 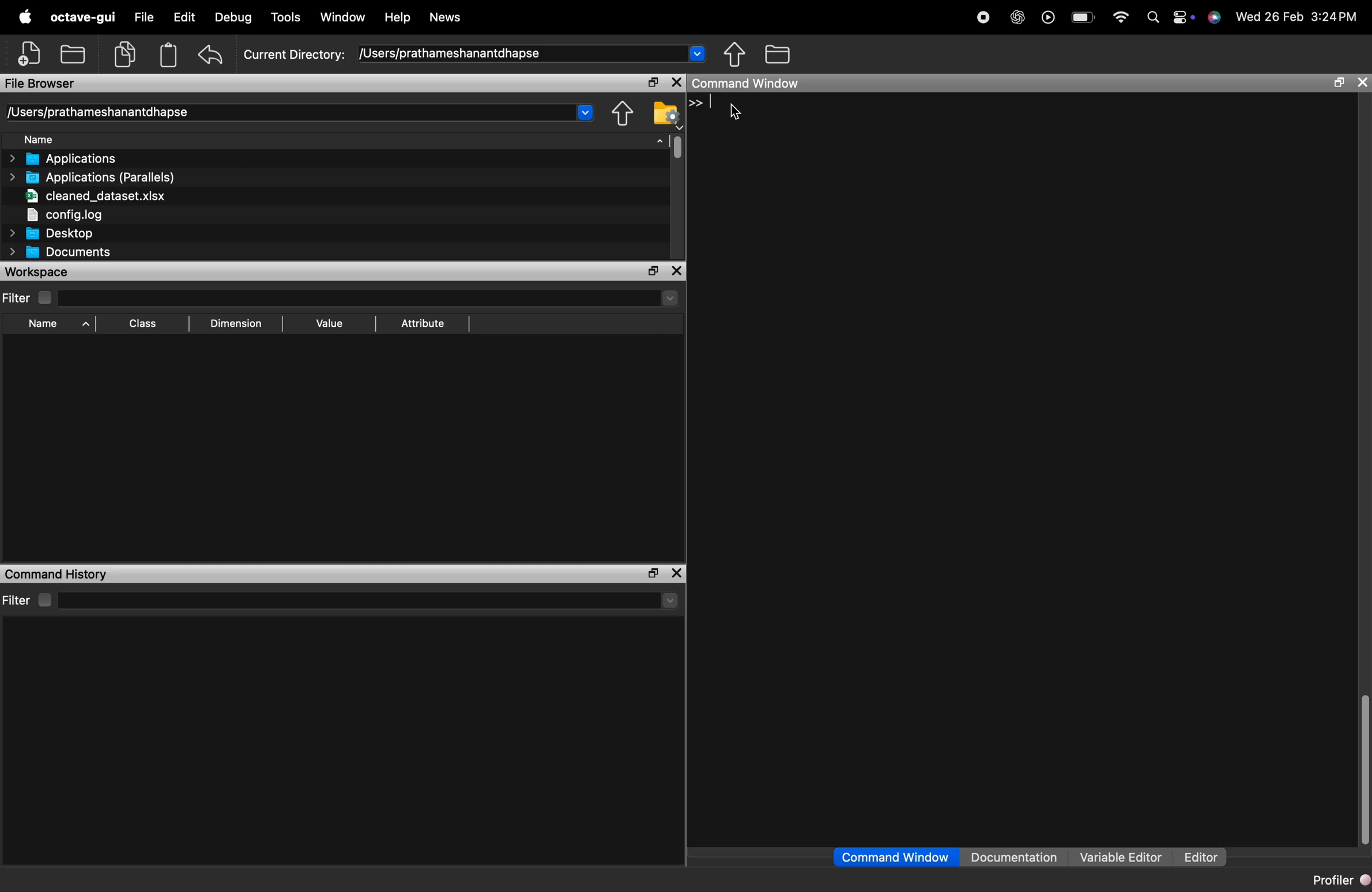 I want to click on Applications (Parallels), so click(x=95, y=177).